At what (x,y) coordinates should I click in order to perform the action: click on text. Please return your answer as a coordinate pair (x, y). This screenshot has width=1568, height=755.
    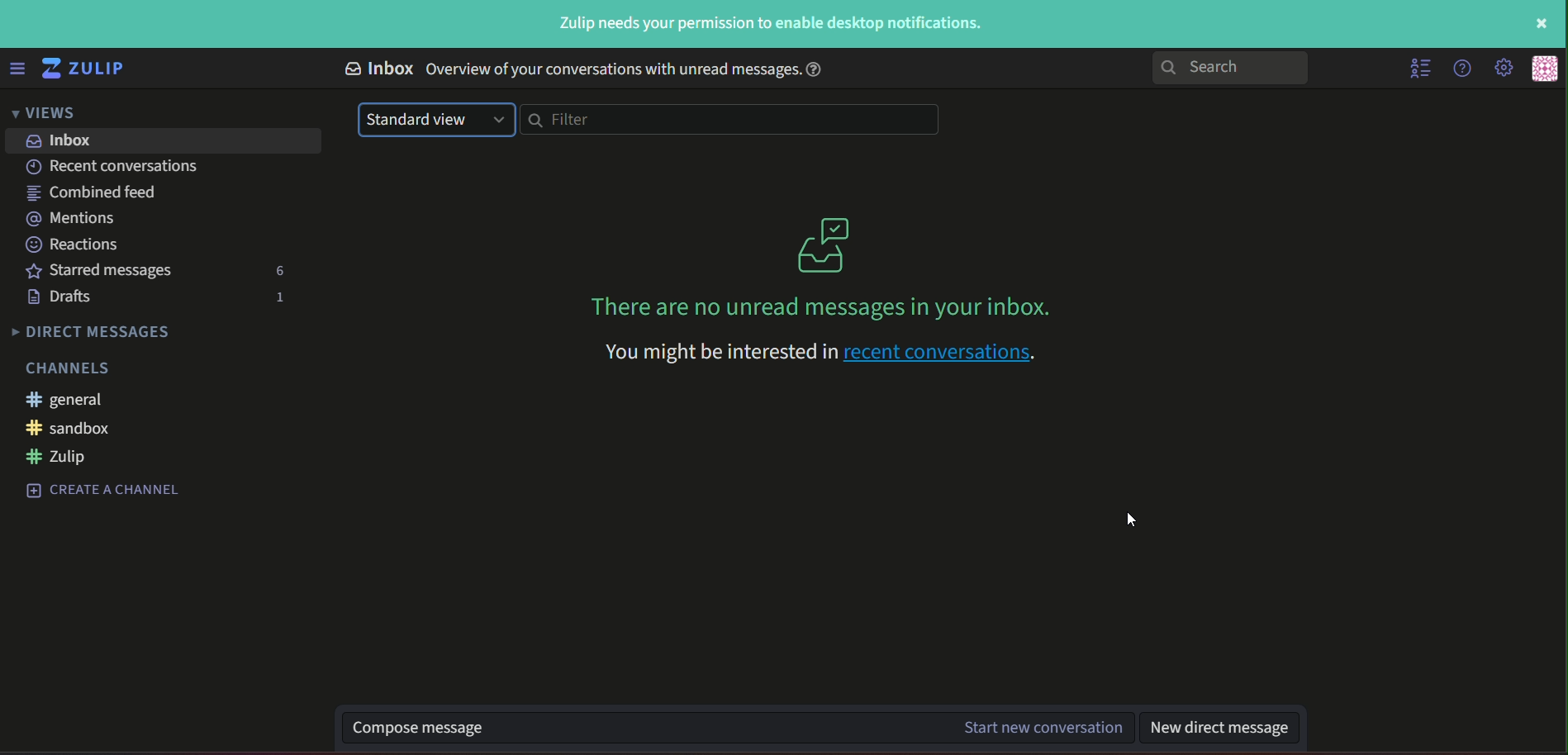
    Looking at the image, I should click on (94, 192).